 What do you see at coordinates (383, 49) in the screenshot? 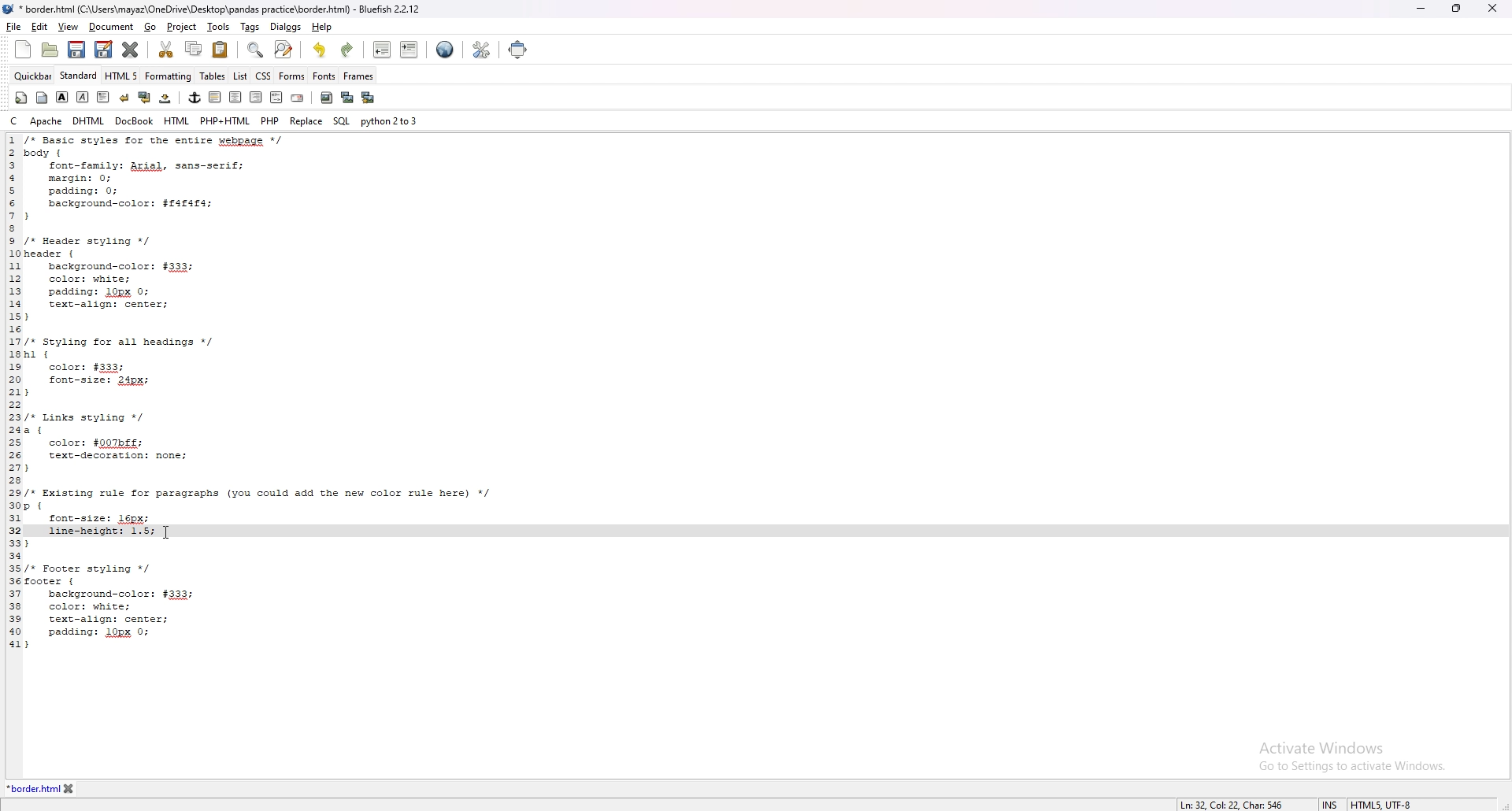
I see `unindent` at bounding box center [383, 49].